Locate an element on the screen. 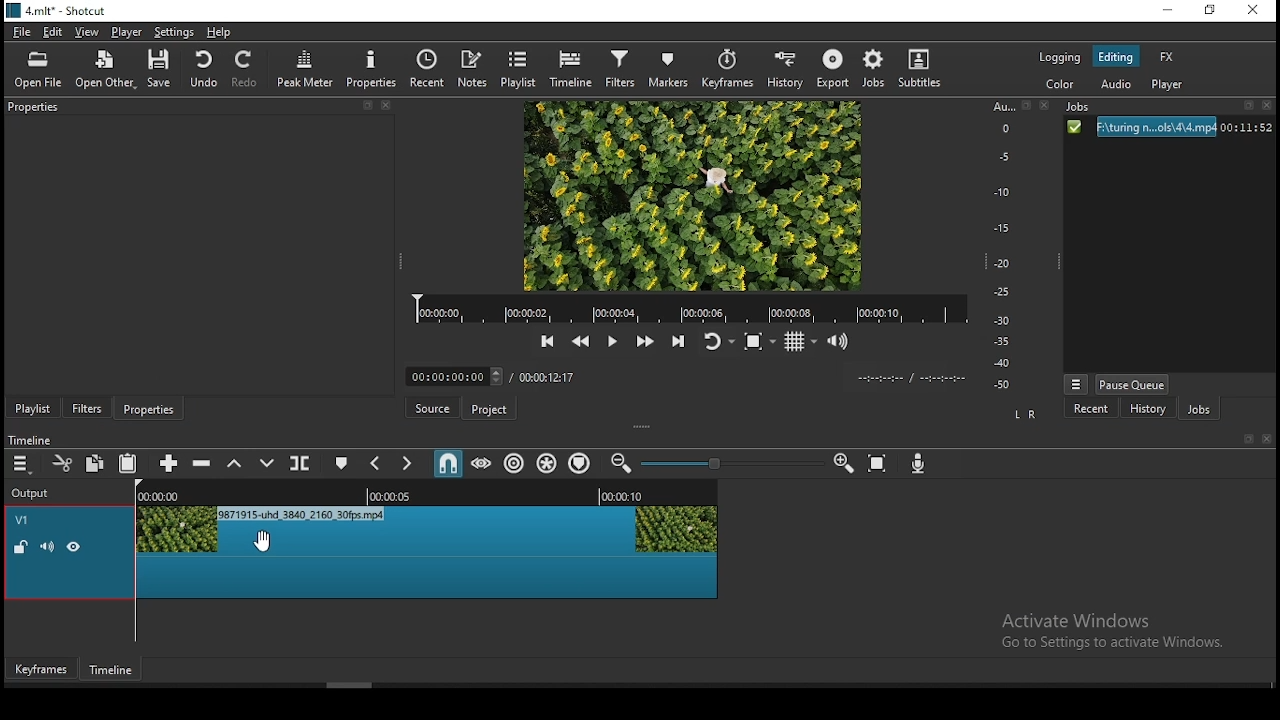 Image resolution: width=1280 pixels, height=720 pixels. timeline is located at coordinates (574, 67).